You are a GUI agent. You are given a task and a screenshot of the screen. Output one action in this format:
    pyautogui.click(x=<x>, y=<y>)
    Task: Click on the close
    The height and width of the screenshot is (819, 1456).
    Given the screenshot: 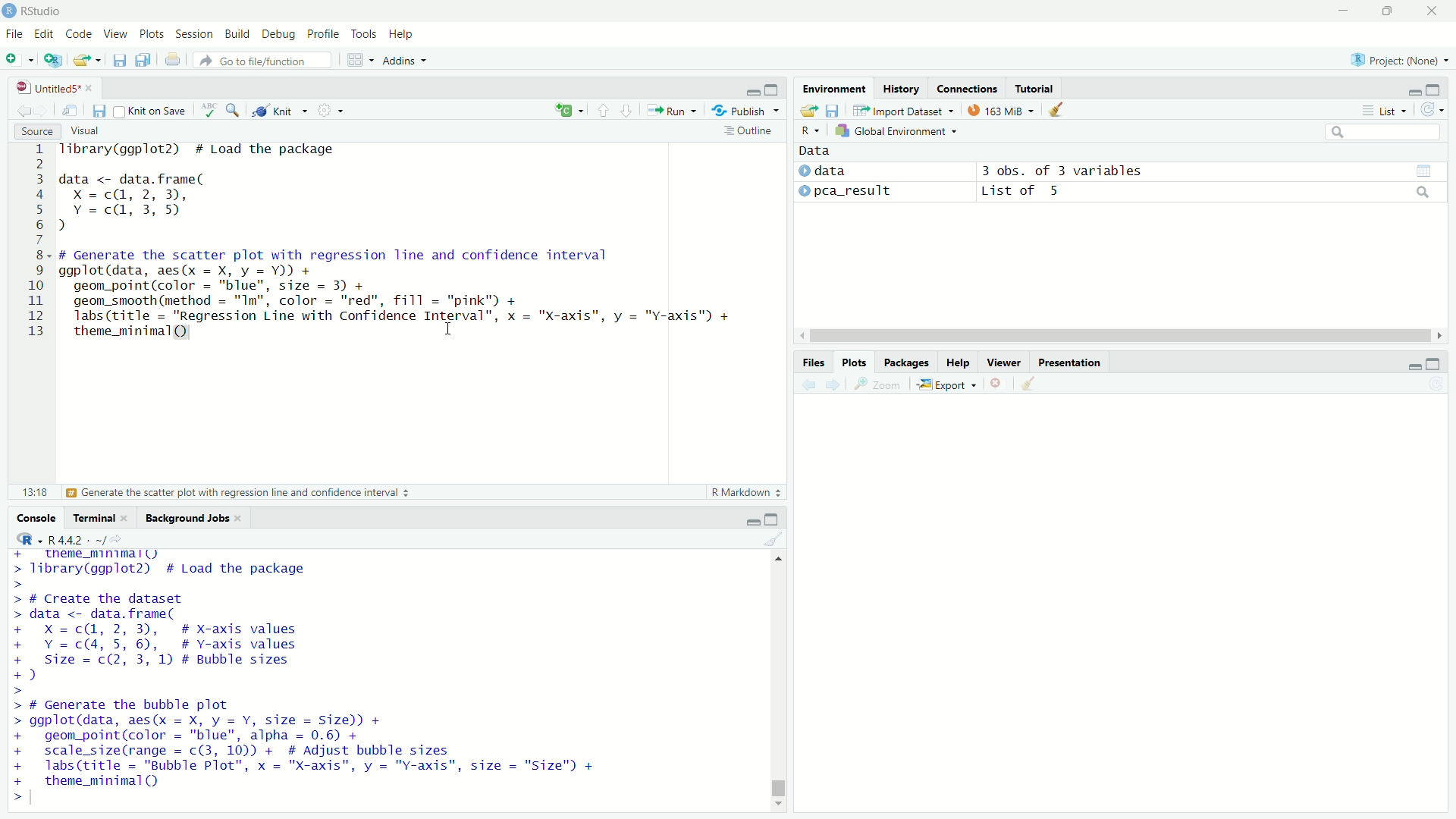 What is the action you would take?
    pyautogui.click(x=127, y=519)
    